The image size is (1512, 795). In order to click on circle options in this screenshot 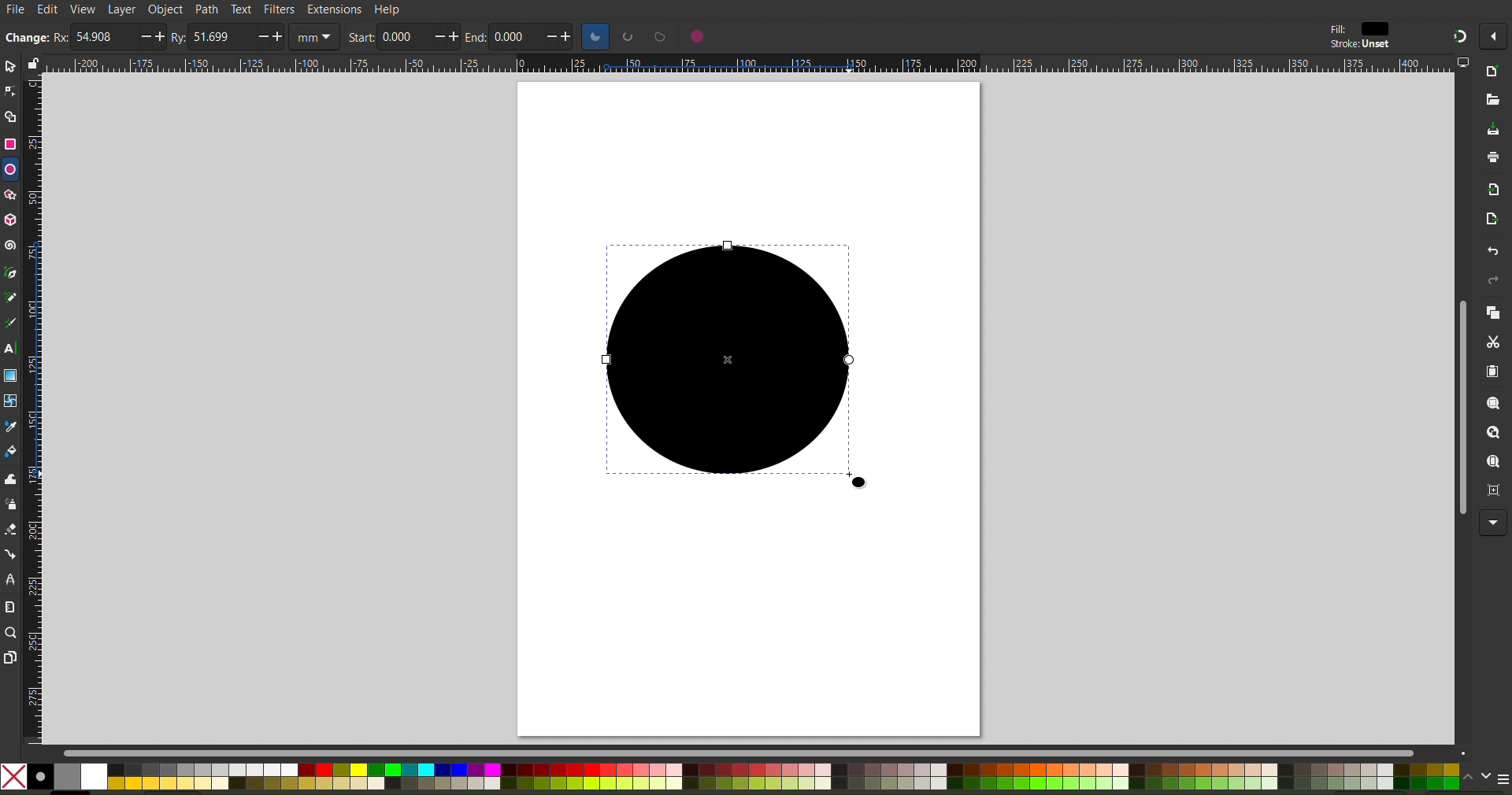, I will do `click(592, 37)`.